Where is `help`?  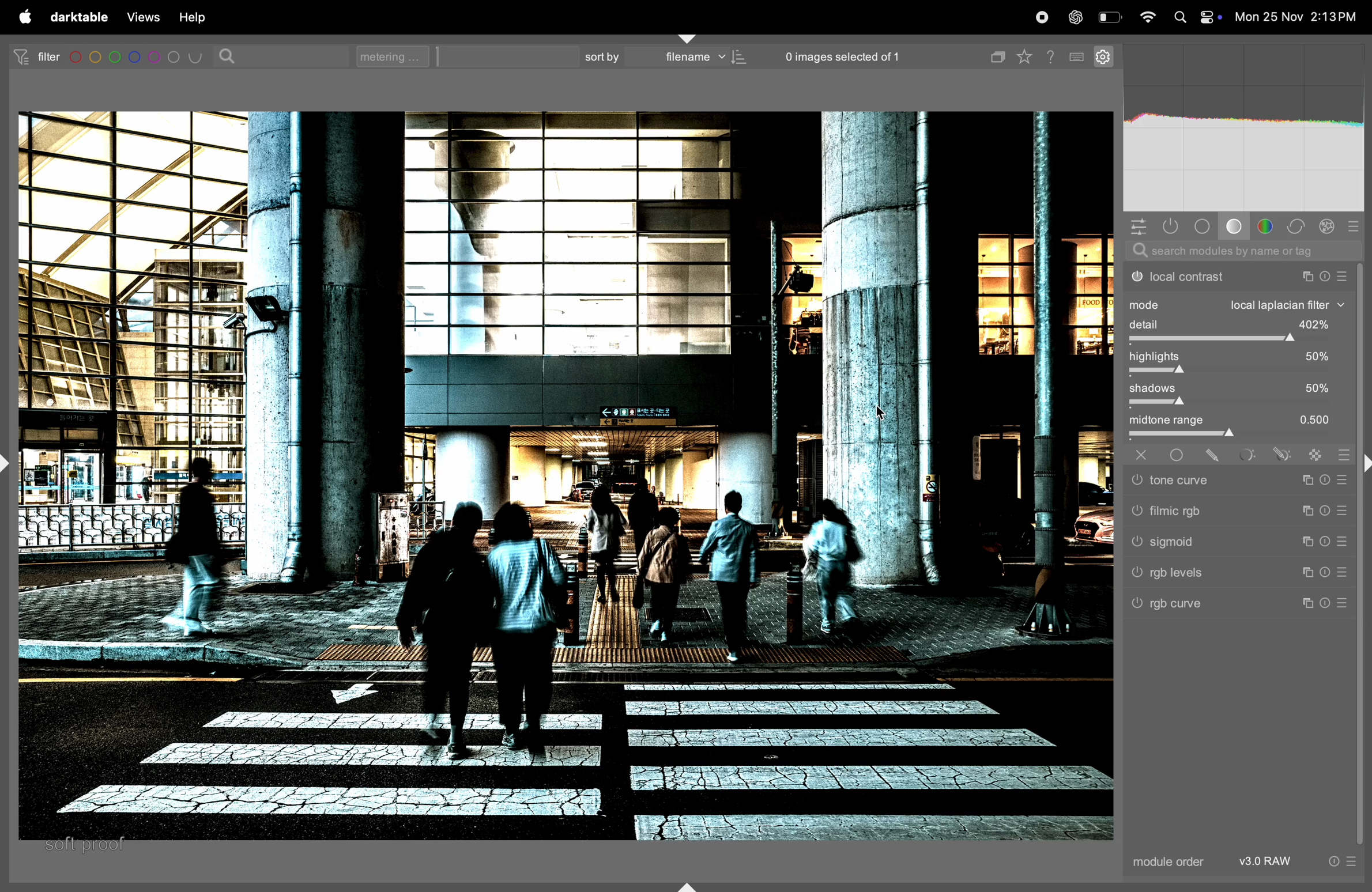 help is located at coordinates (1053, 55).